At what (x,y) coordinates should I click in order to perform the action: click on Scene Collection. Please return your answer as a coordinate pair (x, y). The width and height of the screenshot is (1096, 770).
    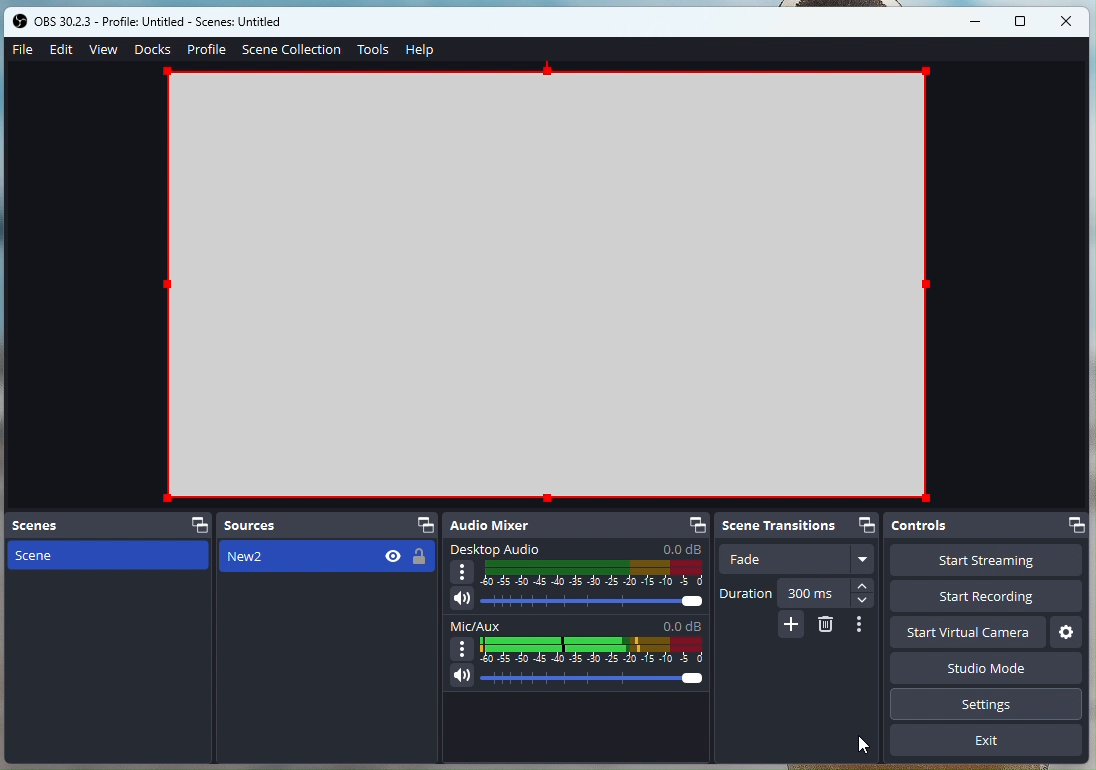
    Looking at the image, I should click on (292, 49).